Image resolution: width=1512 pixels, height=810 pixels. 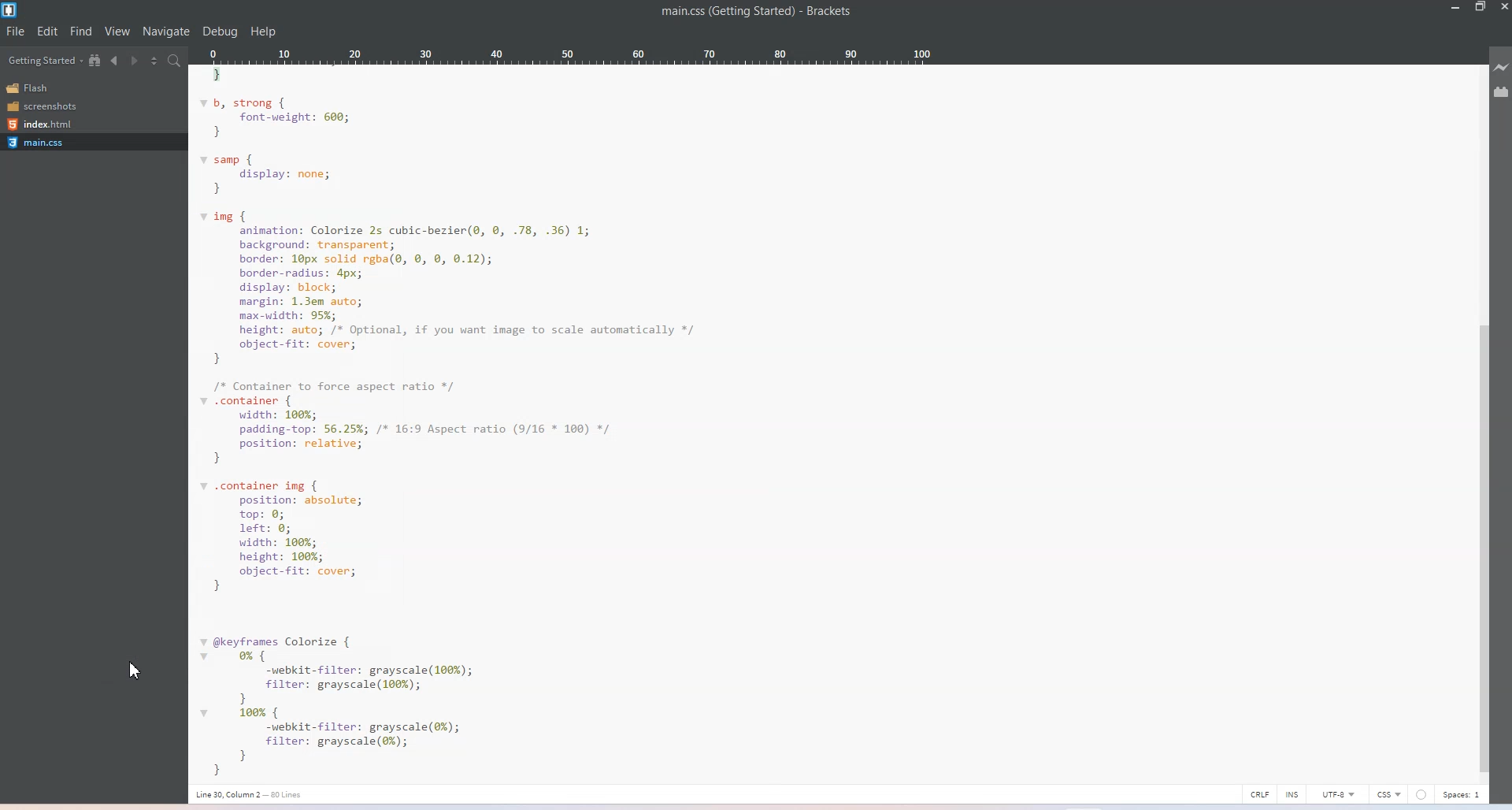 What do you see at coordinates (176, 61) in the screenshot?
I see `Find in files` at bounding box center [176, 61].